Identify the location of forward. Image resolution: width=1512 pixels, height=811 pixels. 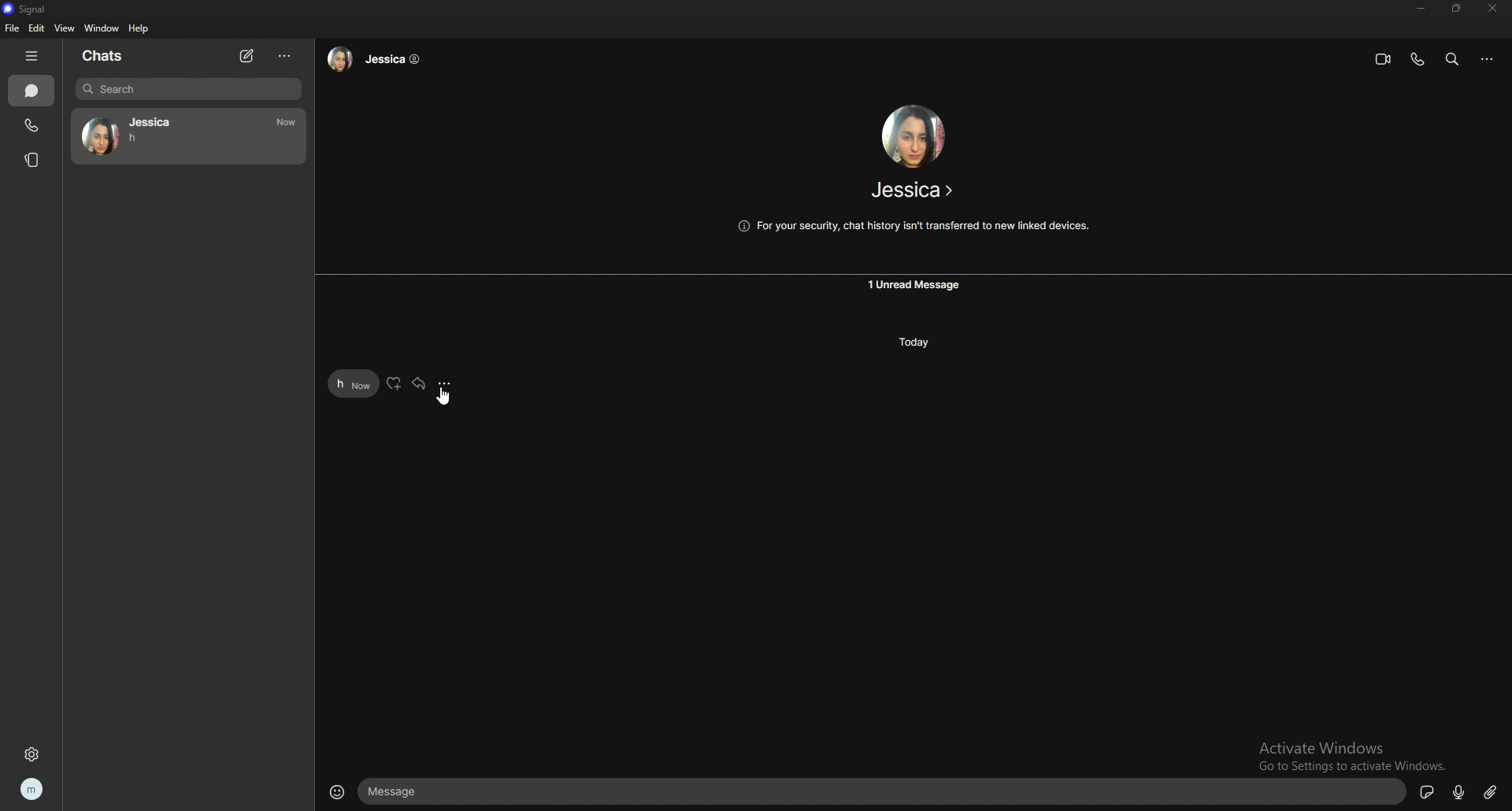
(421, 384).